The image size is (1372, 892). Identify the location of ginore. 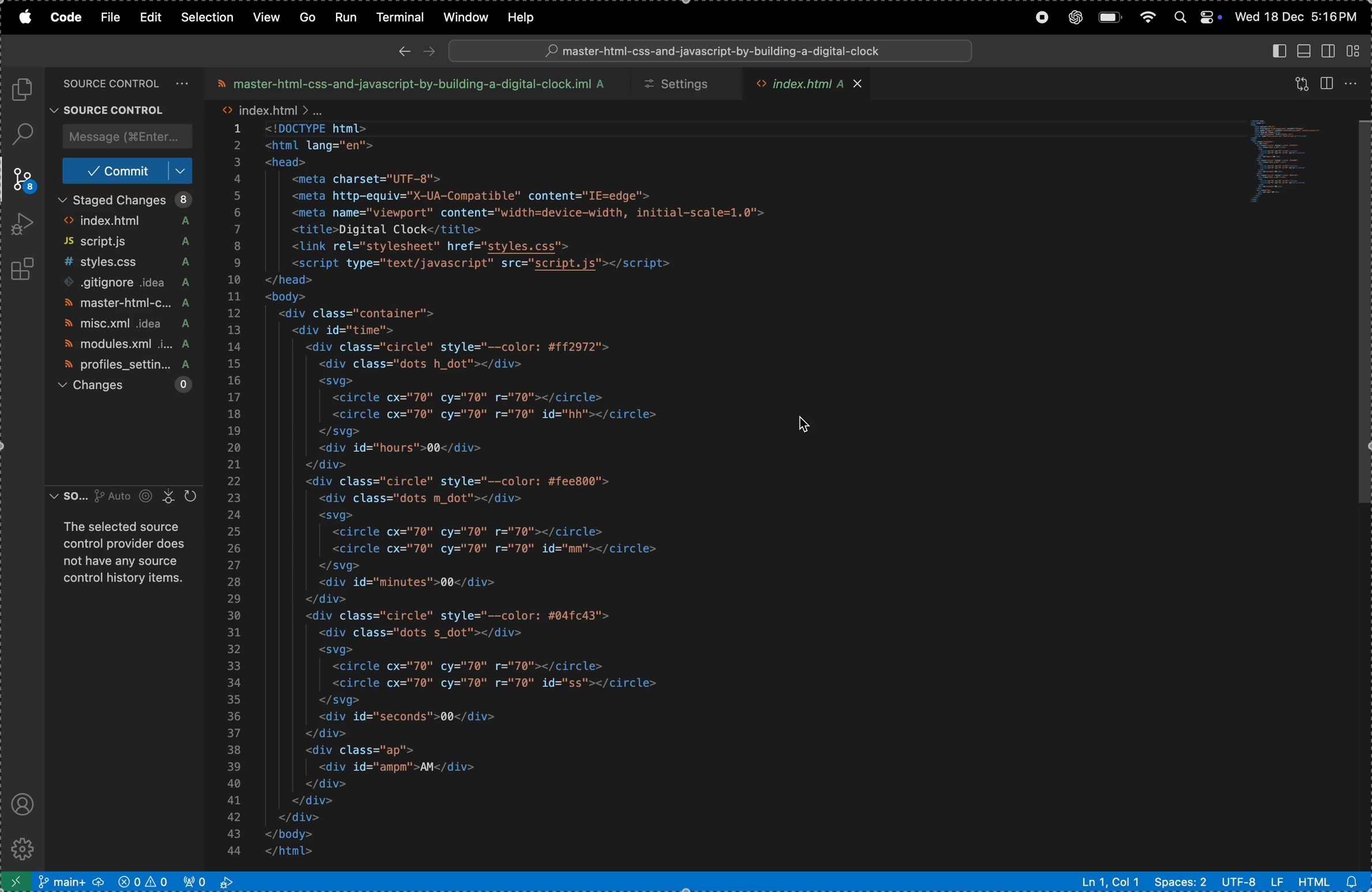
(131, 284).